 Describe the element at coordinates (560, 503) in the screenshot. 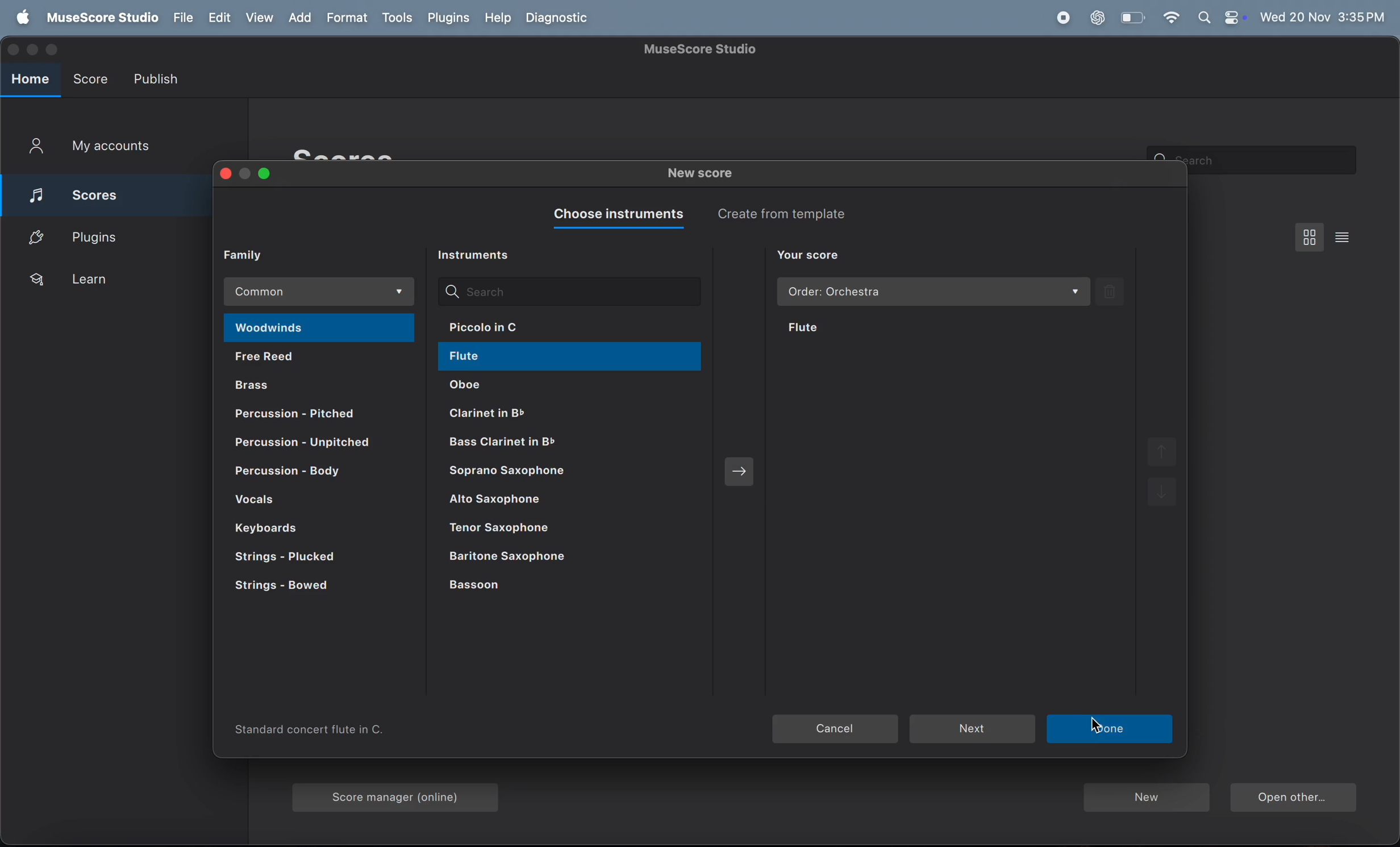

I see `alto saxophone` at that location.